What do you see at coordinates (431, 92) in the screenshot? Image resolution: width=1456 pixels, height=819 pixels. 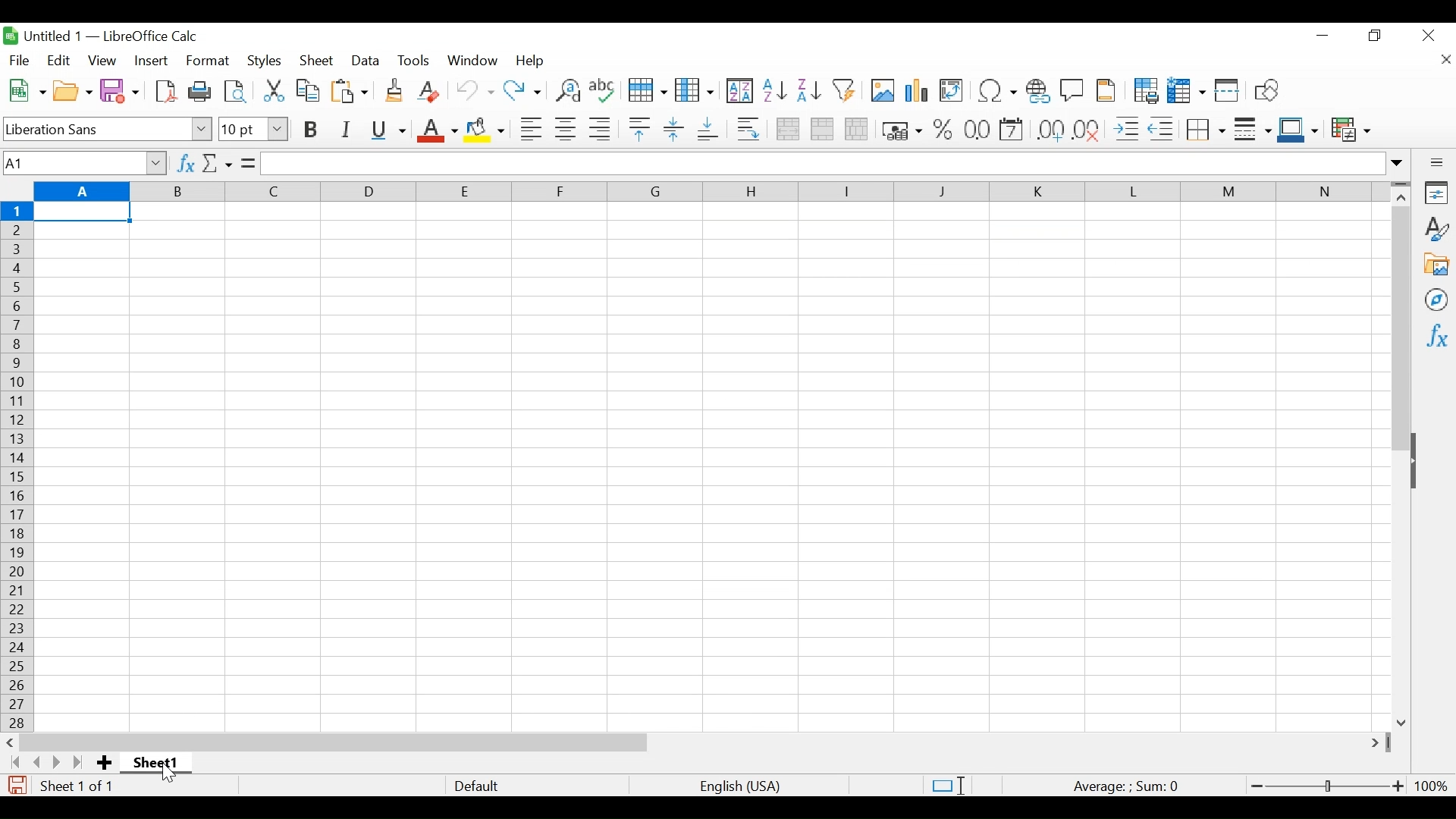 I see `Clear Direct Formatting` at bounding box center [431, 92].